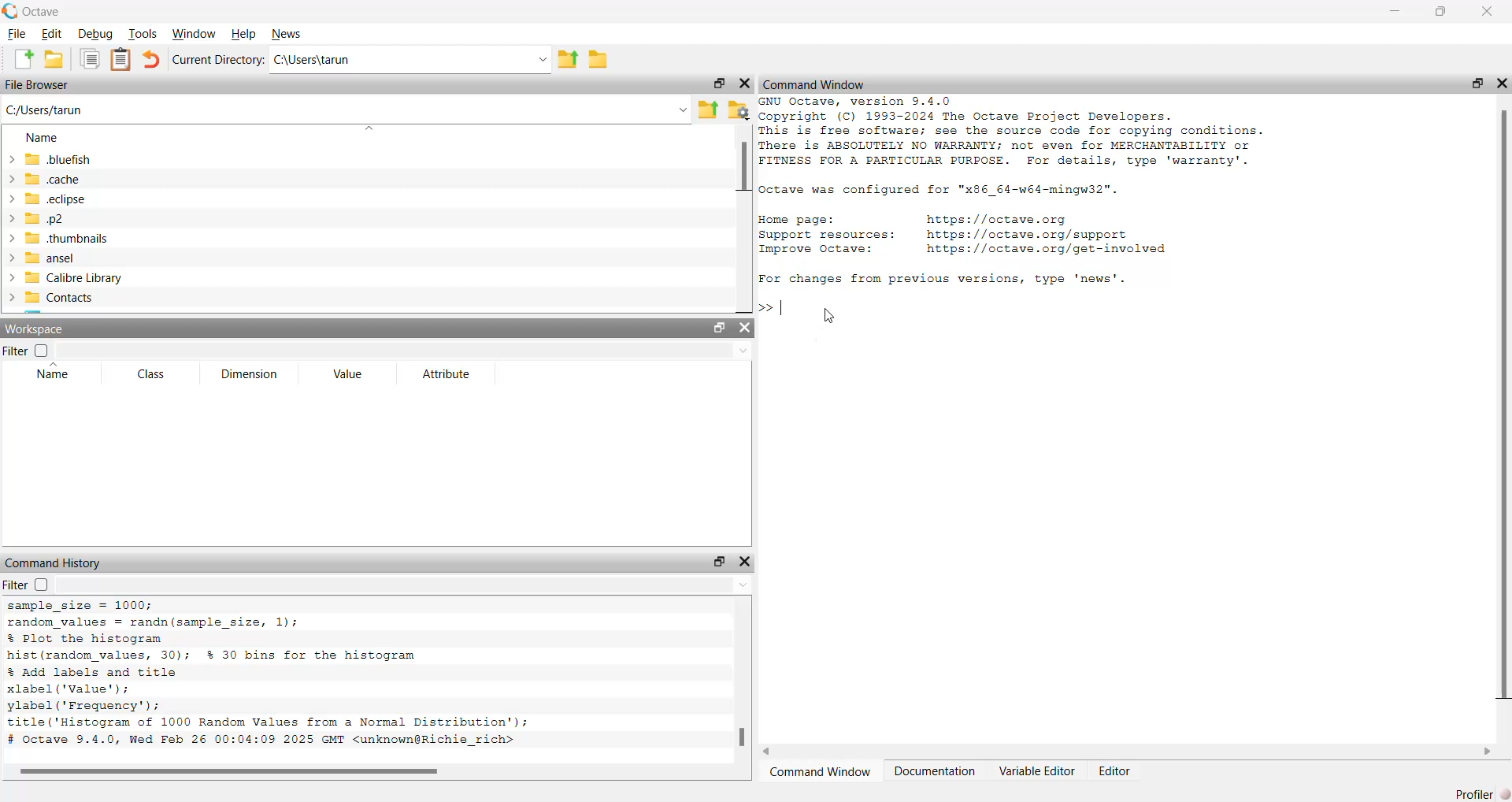 The height and width of the screenshot is (802, 1512). What do you see at coordinates (313, 61) in the screenshot?
I see `C:\Users\tarun` at bounding box center [313, 61].